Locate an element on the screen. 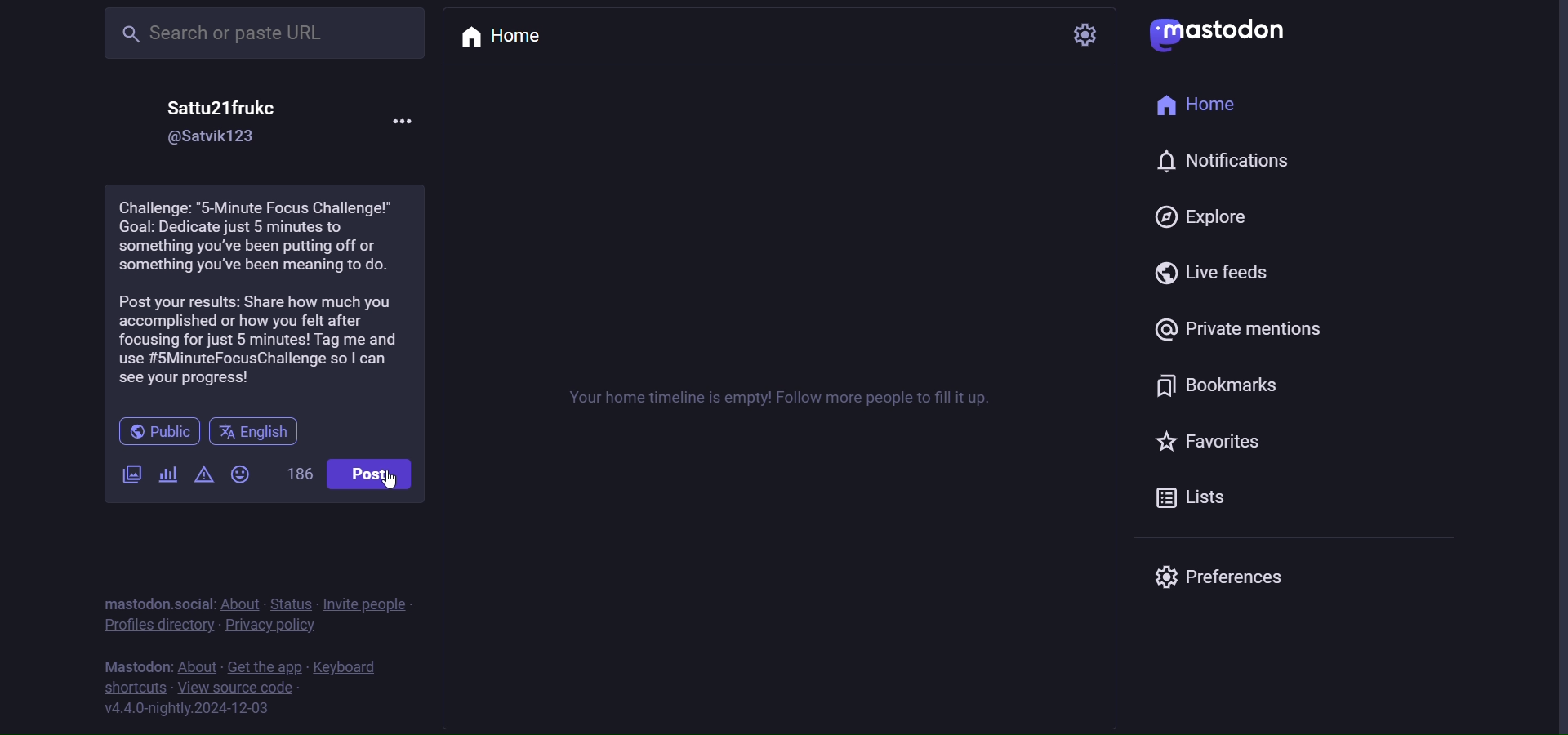  home is located at coordinates (1201, 105).